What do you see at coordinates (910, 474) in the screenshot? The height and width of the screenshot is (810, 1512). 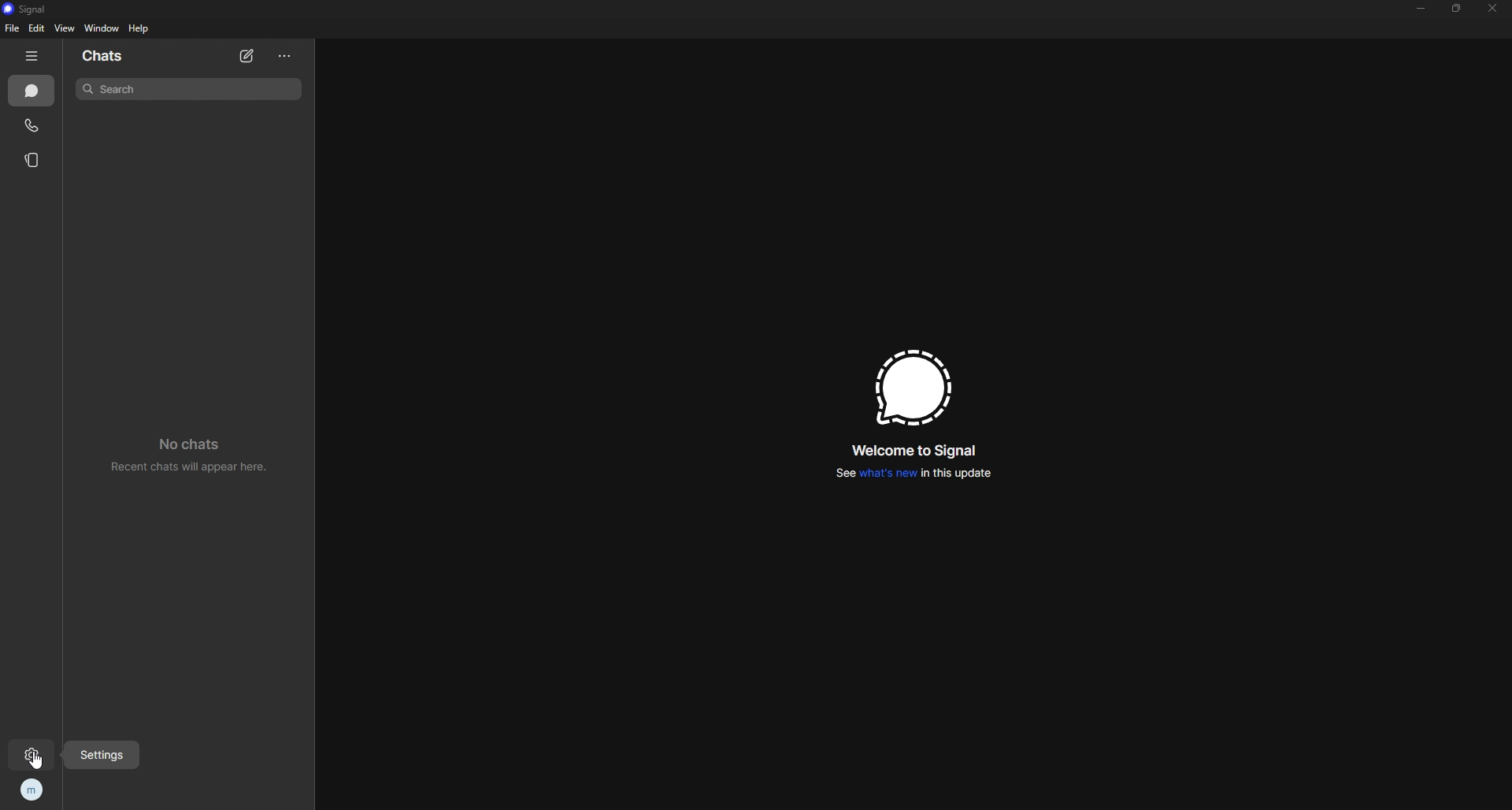 I see `see whats new` at bounding box center [910, 474].